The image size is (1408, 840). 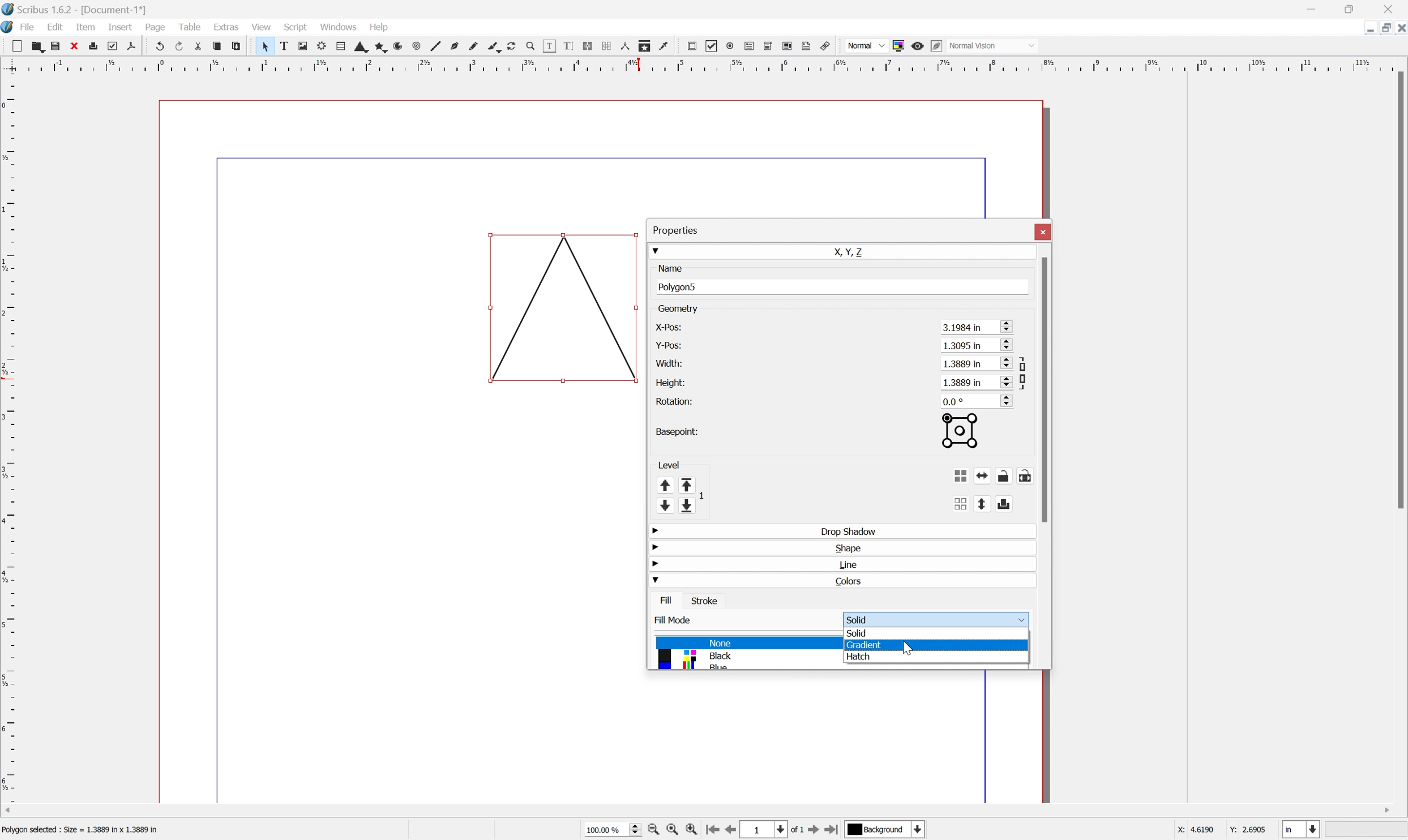 I want to click on New, so click(x=16, y=46).